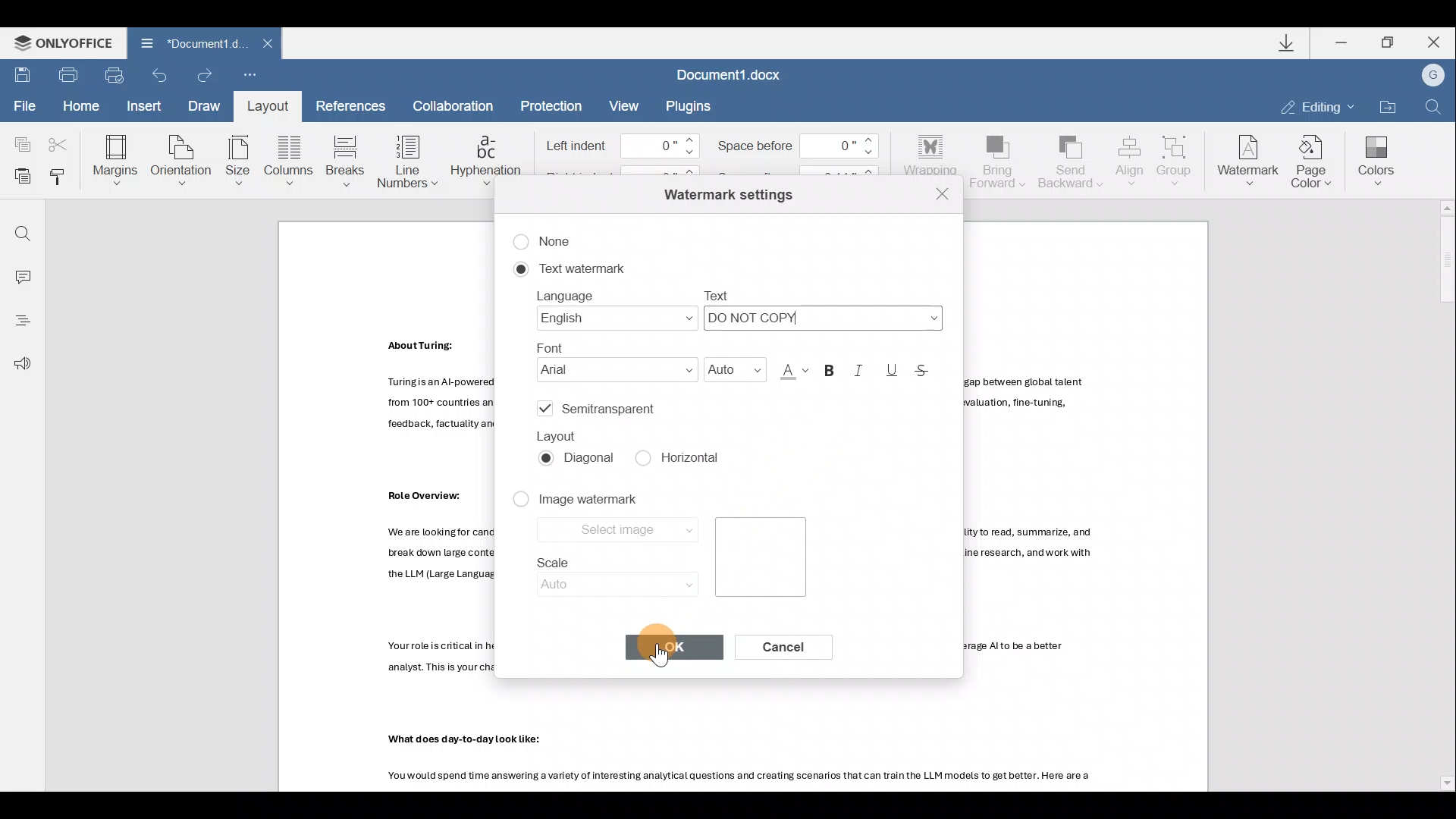 The image size is (1456, 819). I want to click on Text, so click(830, 309).